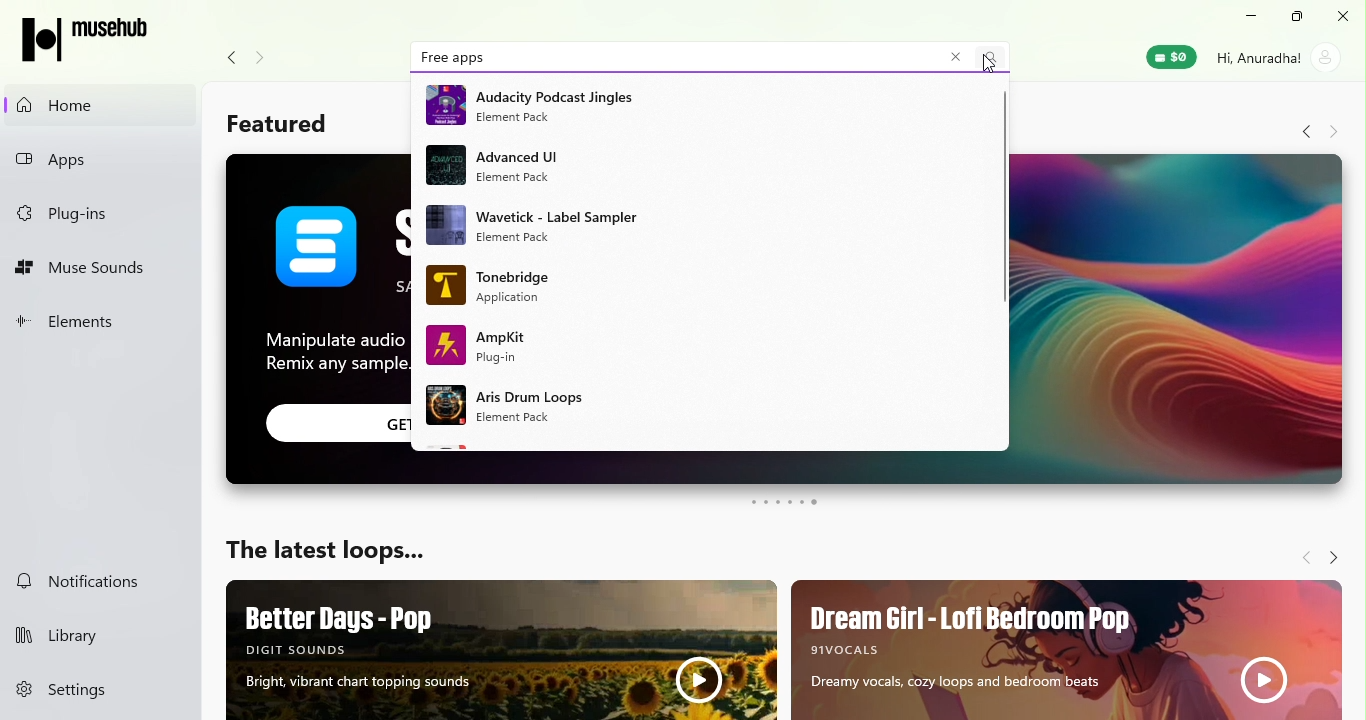 The image size is (1366, 720). I want to click on Muse wallet, so click(1169, 59).